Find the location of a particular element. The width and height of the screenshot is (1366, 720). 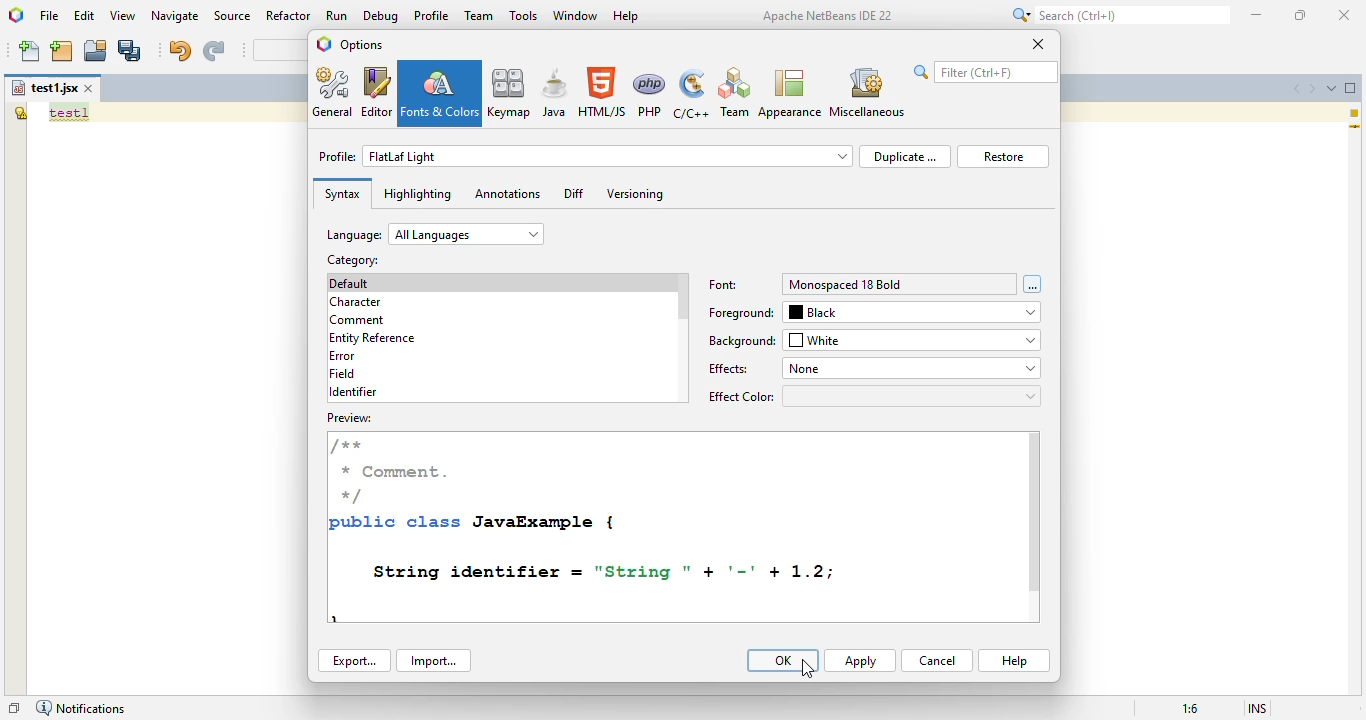

fonts & colors is located at coordinates (441, 93).